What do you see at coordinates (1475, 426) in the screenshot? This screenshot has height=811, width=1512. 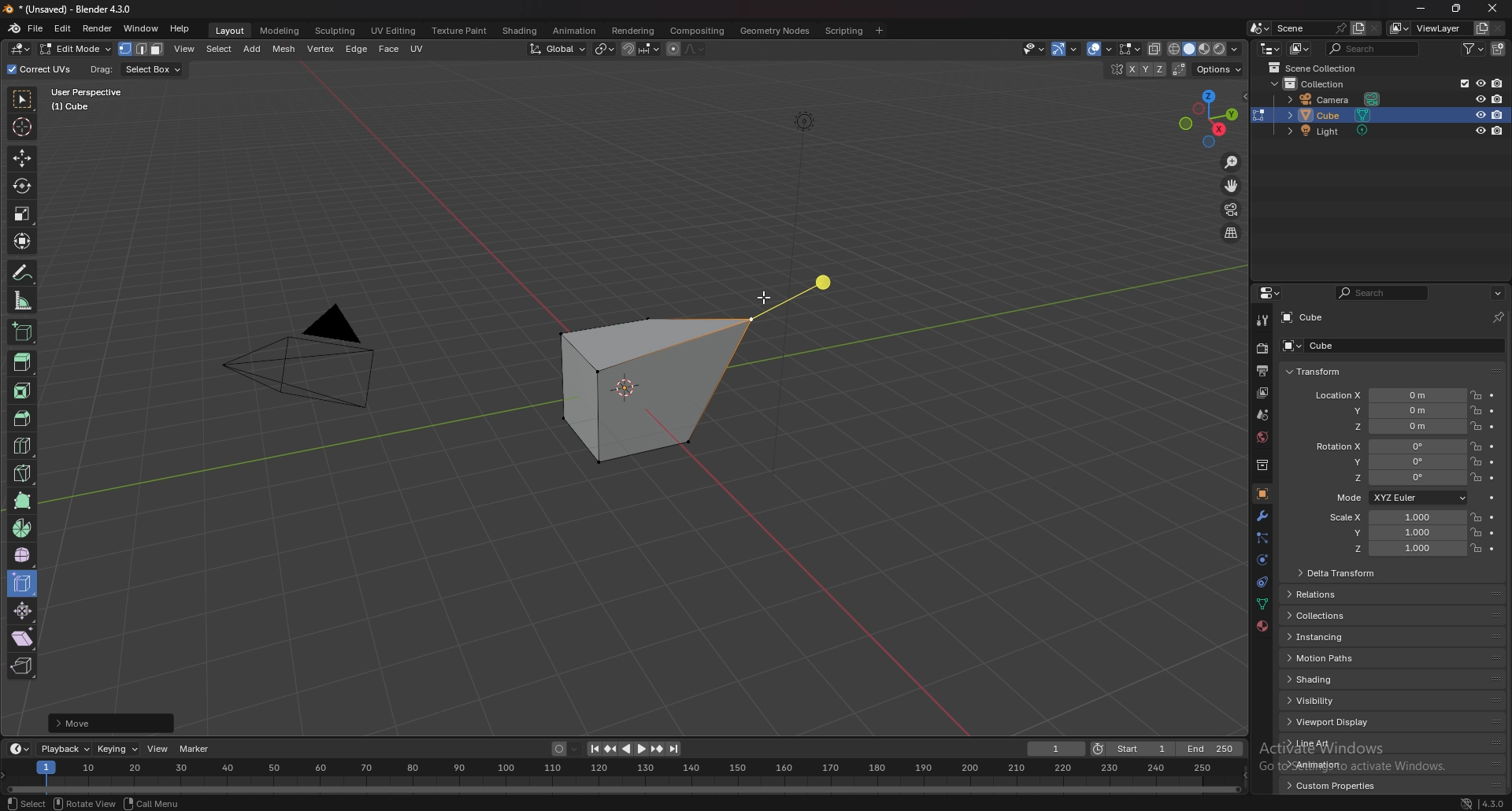 I see `lock` at bounding box center [1475, 426].